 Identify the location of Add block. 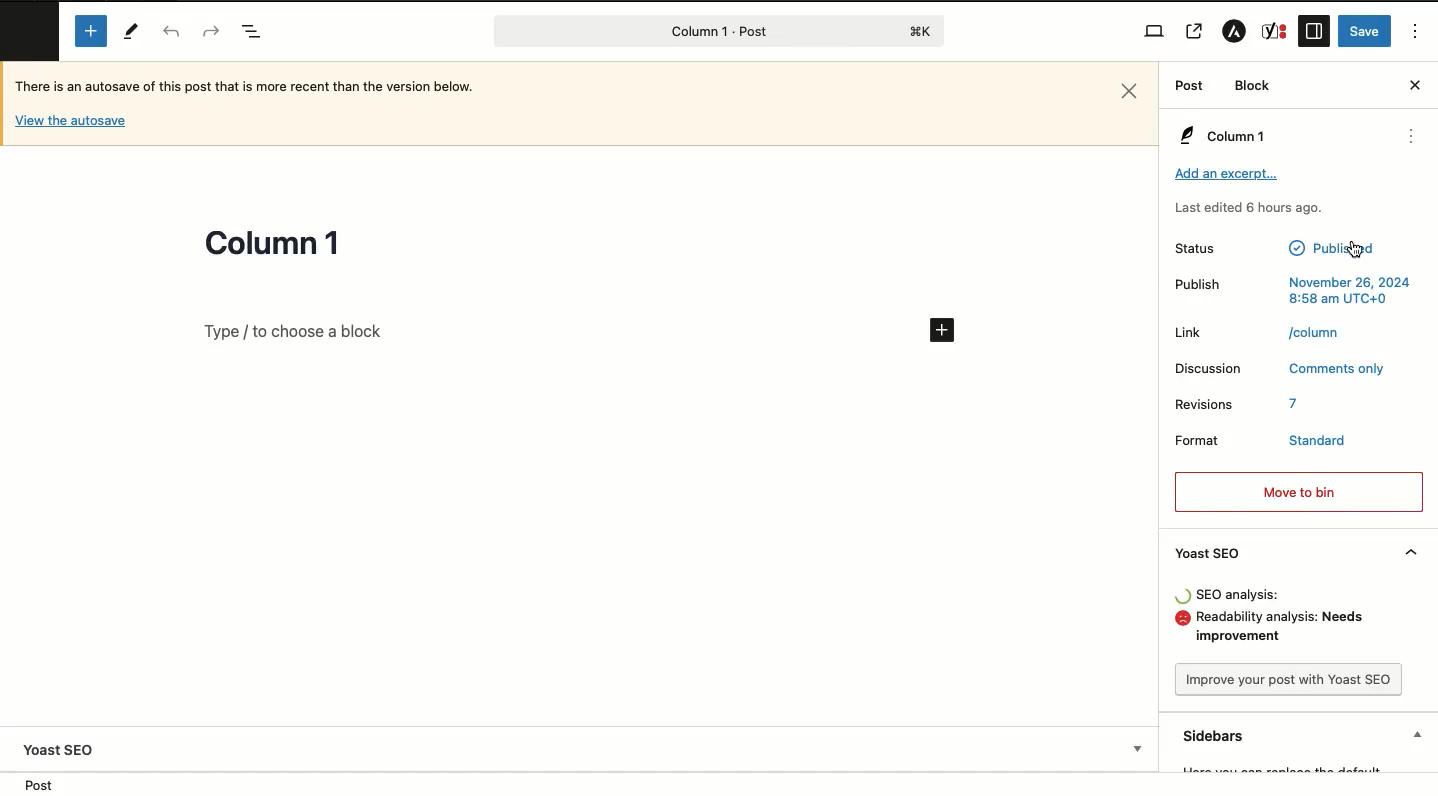
(545, 331).